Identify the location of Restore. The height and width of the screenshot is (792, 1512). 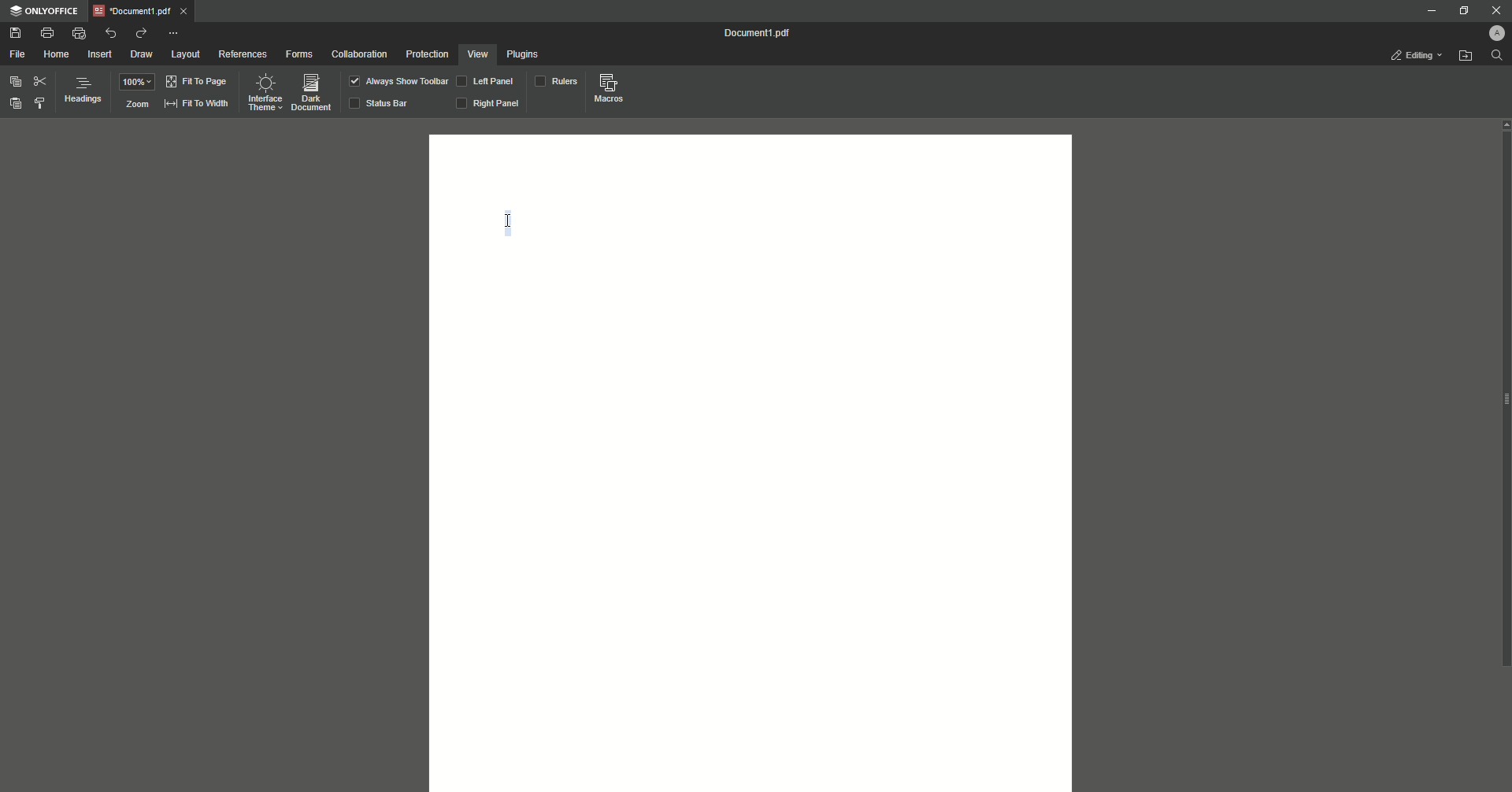
(1462, 12).